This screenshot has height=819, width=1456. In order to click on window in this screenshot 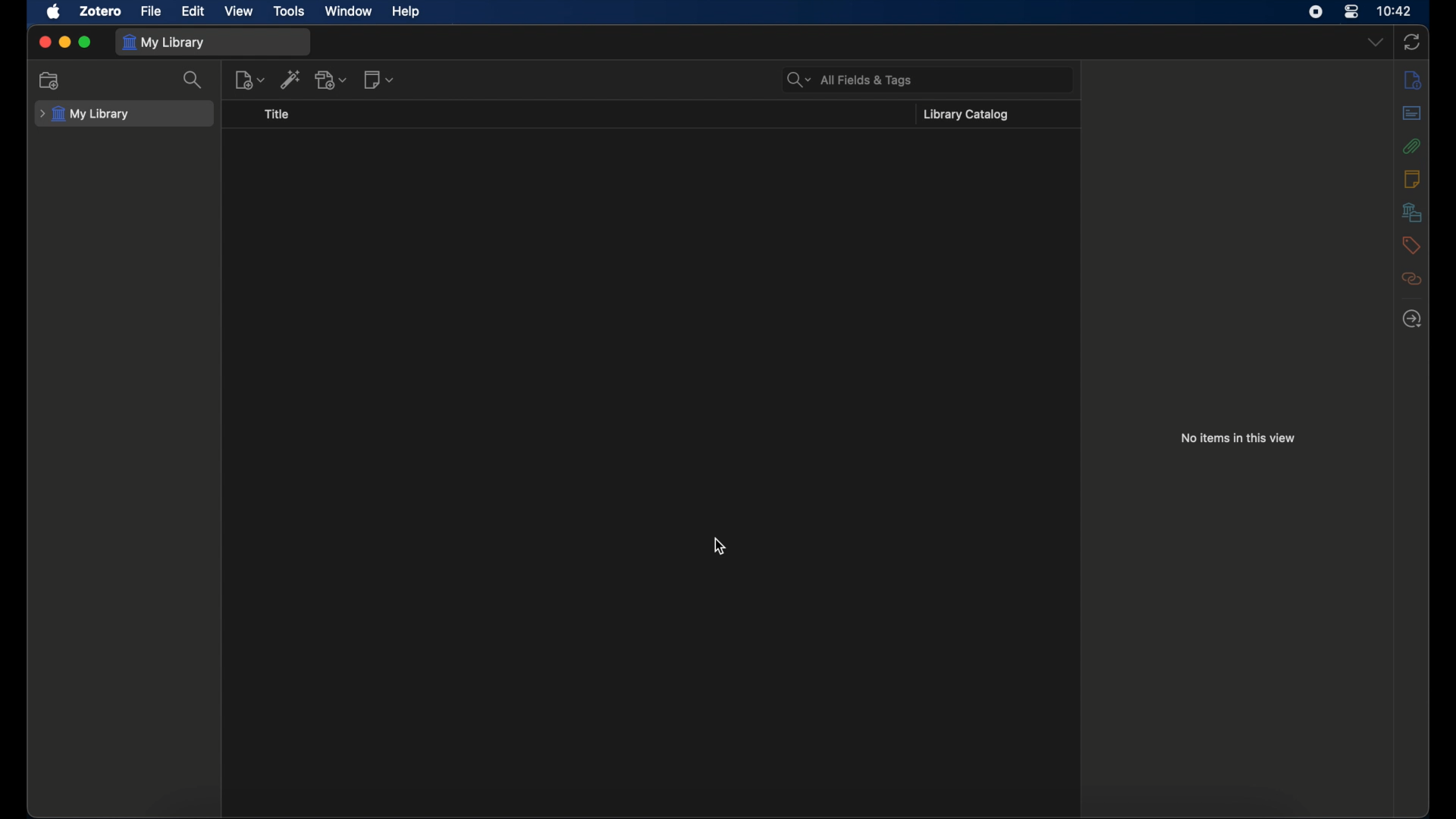, I will do `click(347, 11)`.